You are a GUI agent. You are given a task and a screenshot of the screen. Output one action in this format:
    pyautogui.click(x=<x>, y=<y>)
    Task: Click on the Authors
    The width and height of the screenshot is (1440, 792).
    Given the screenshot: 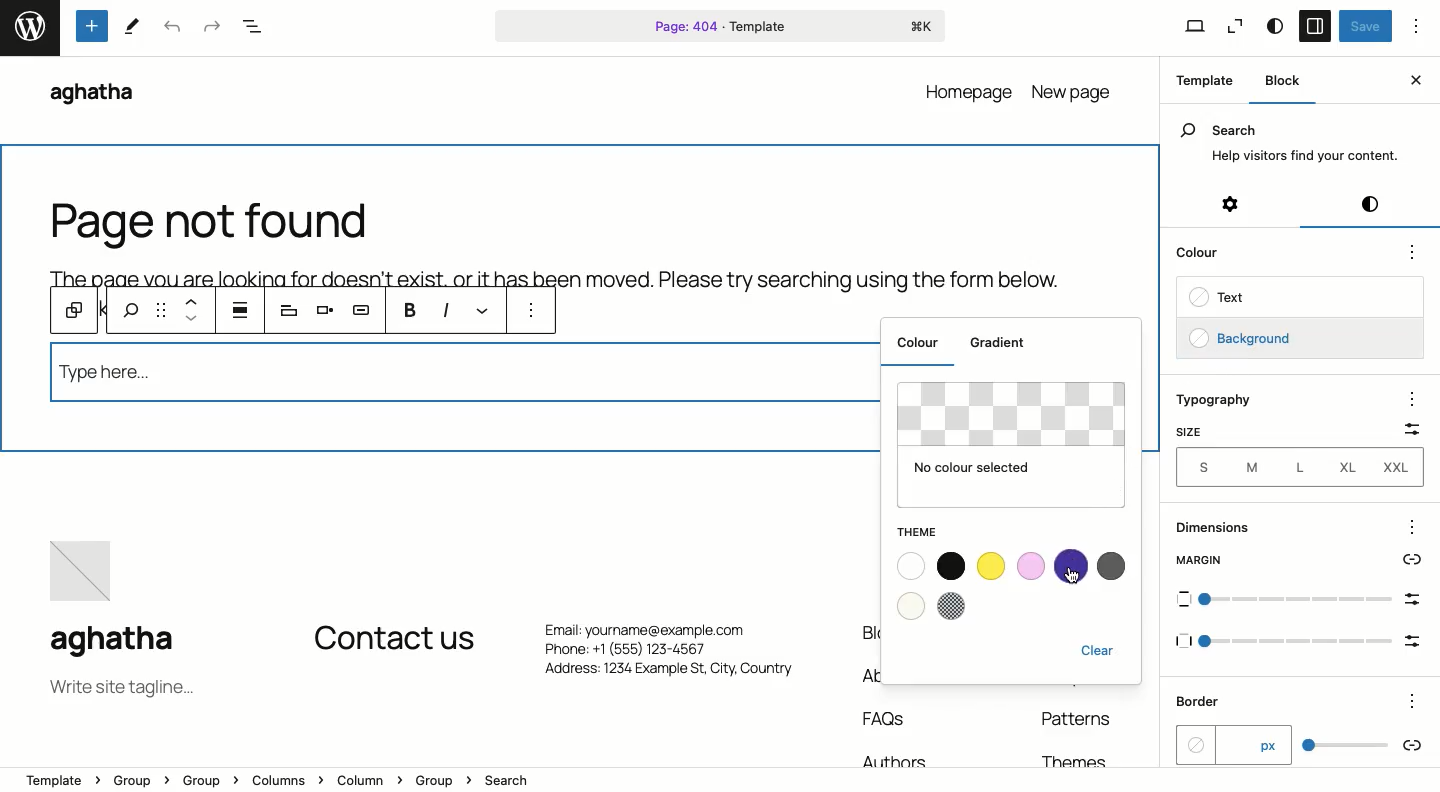 What is the action you would take?
    pyautogui.click(x=889, y=758)
    